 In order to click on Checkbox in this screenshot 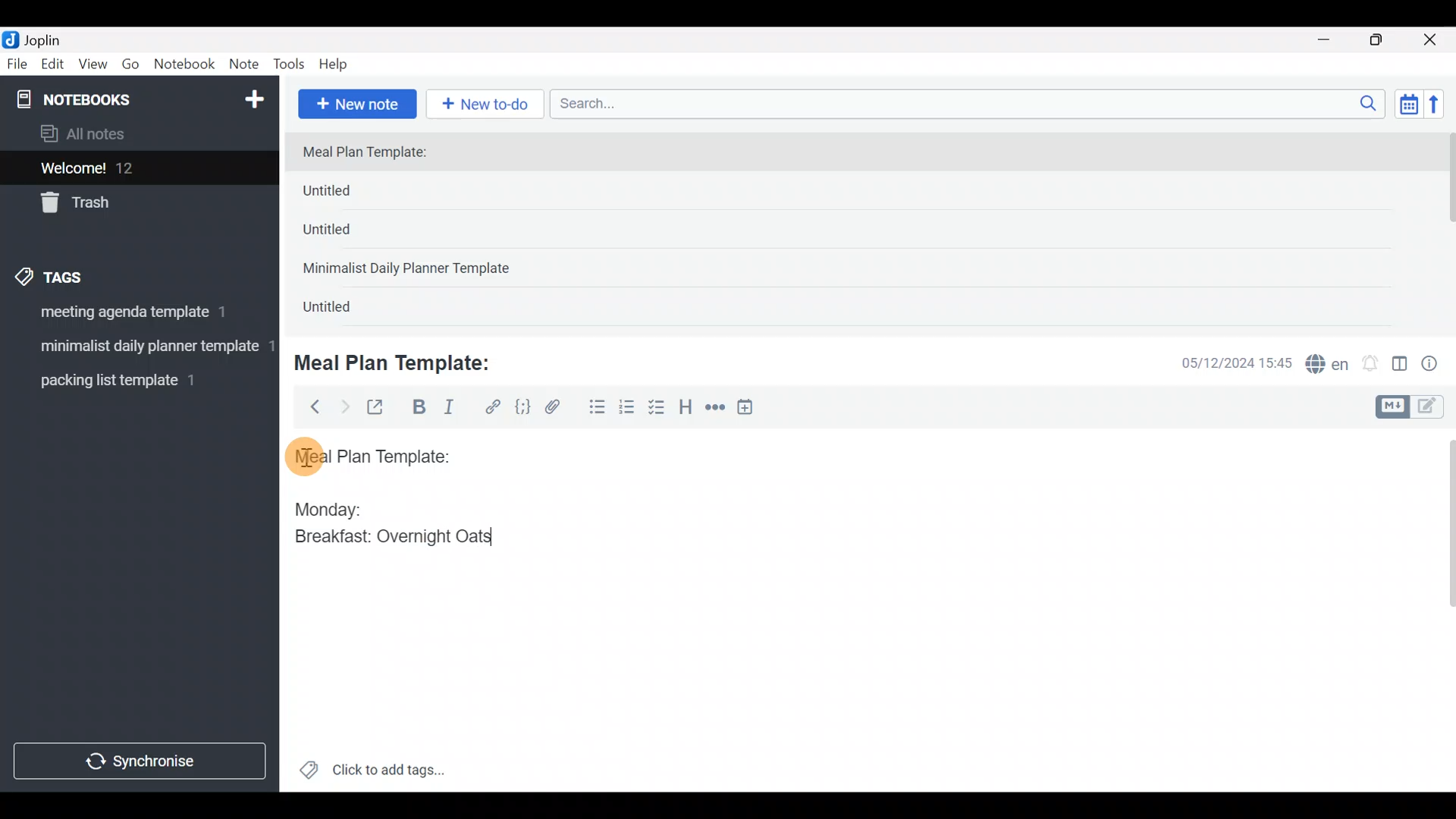, I will do `click(658, 409)`.